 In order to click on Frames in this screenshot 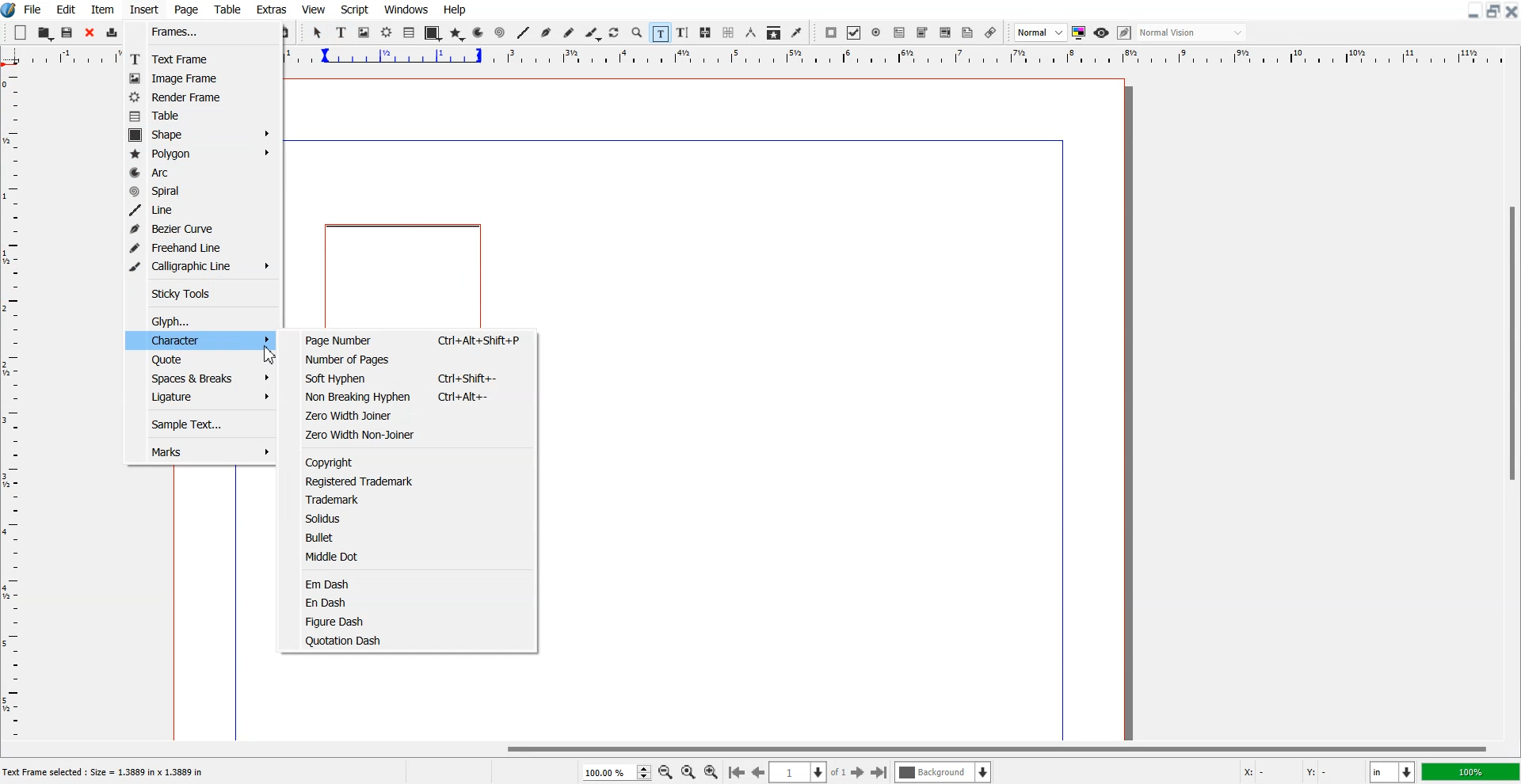, I will do `click(196, 32)`.